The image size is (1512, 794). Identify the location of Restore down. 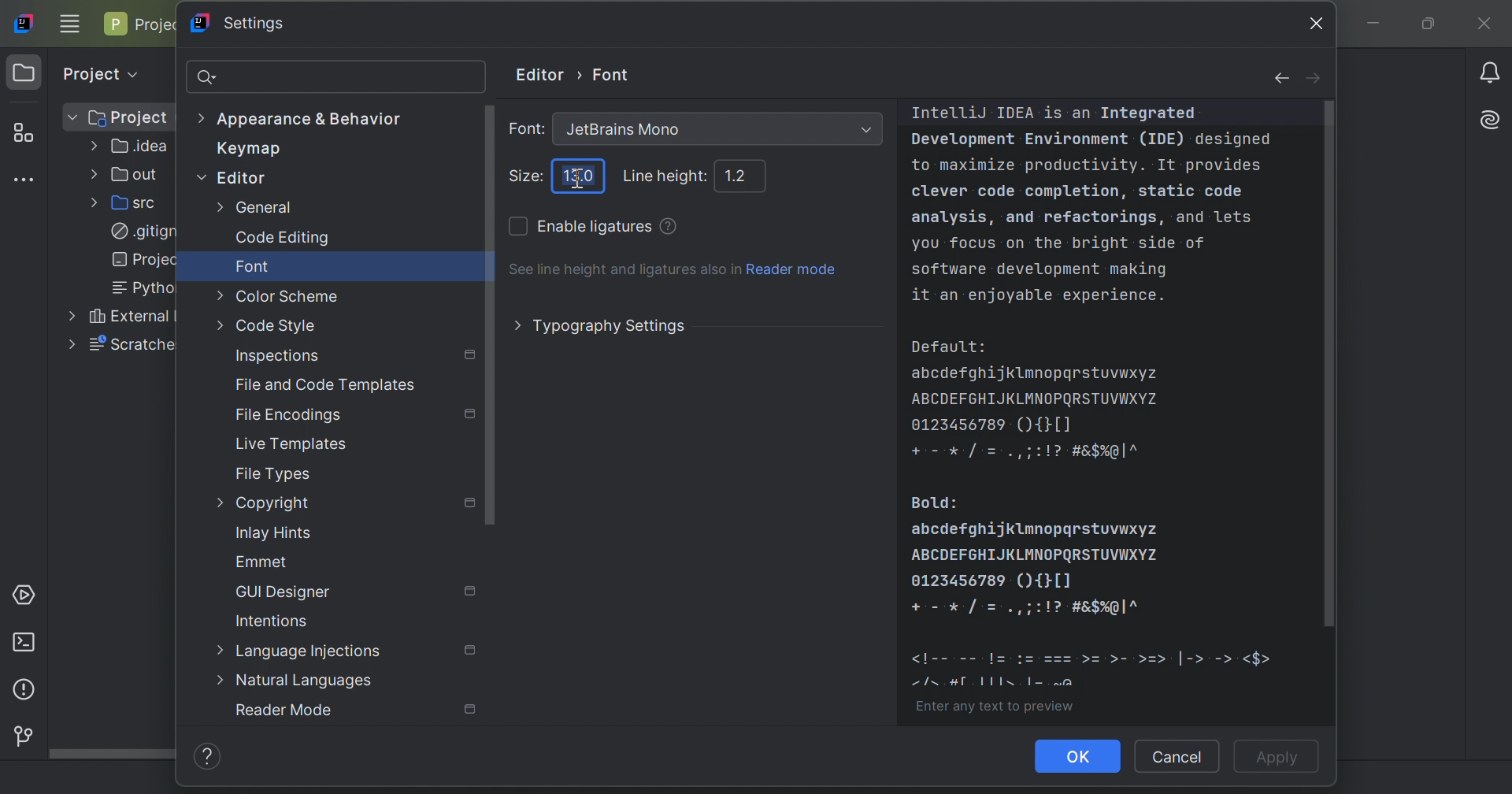
(1426, 25).